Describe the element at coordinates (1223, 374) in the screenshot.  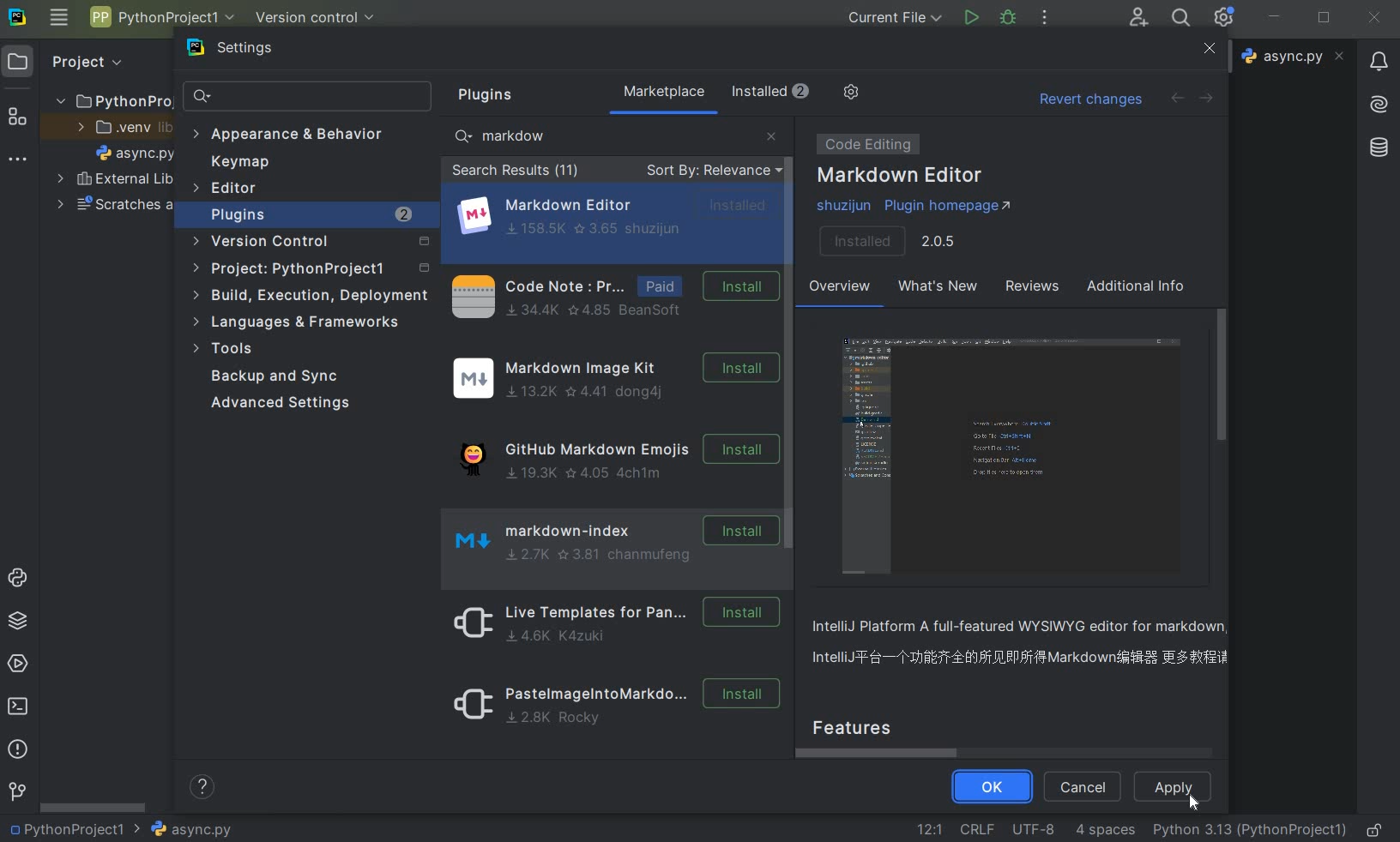
I see `scrollbar` at that location.